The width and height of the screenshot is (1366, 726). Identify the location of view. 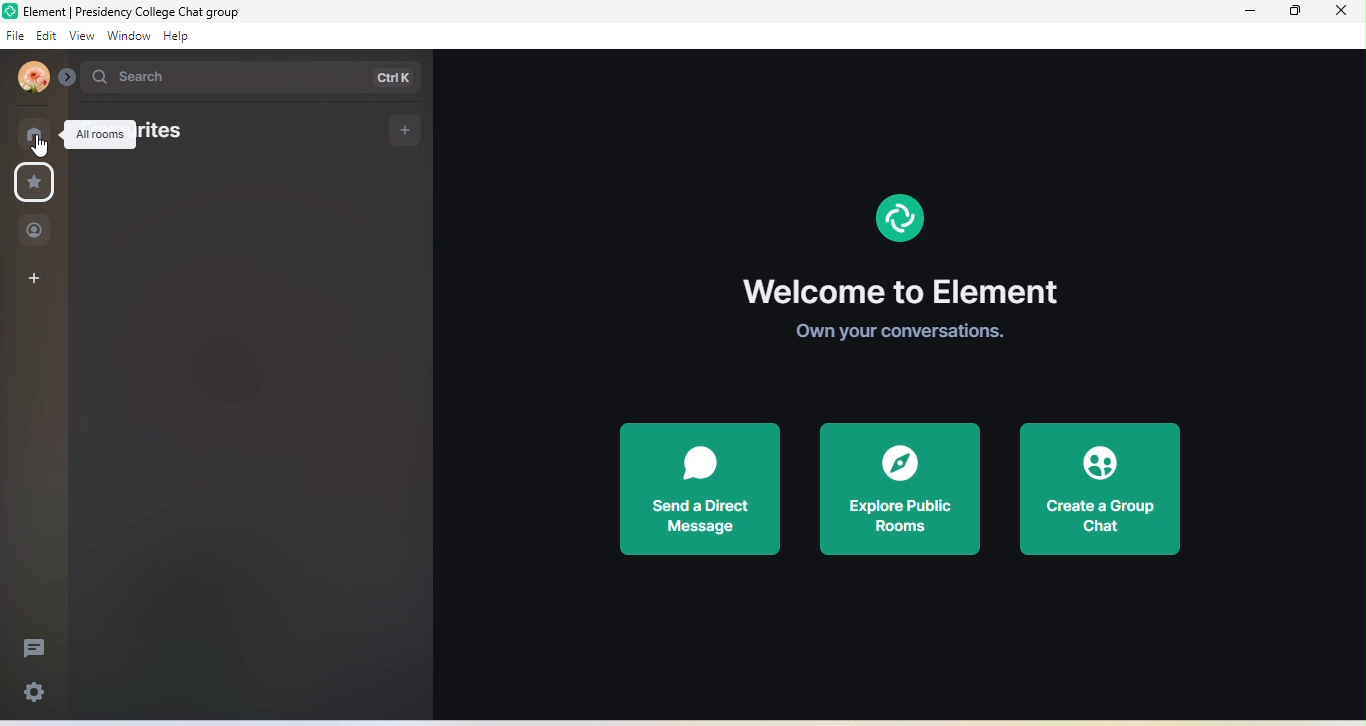
(82, 38).